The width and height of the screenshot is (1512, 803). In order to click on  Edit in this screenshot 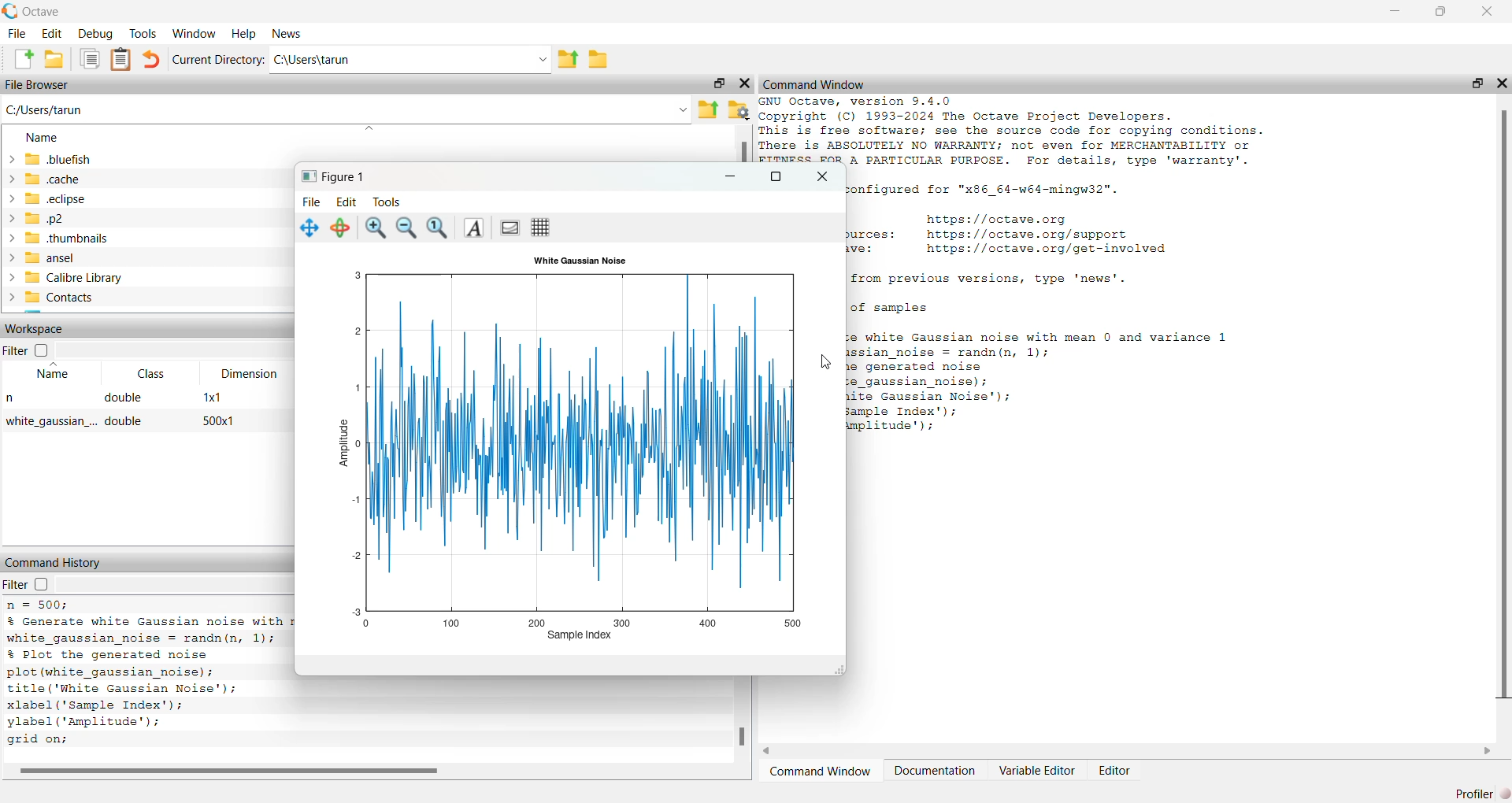, I will do `click(344, 201)`.